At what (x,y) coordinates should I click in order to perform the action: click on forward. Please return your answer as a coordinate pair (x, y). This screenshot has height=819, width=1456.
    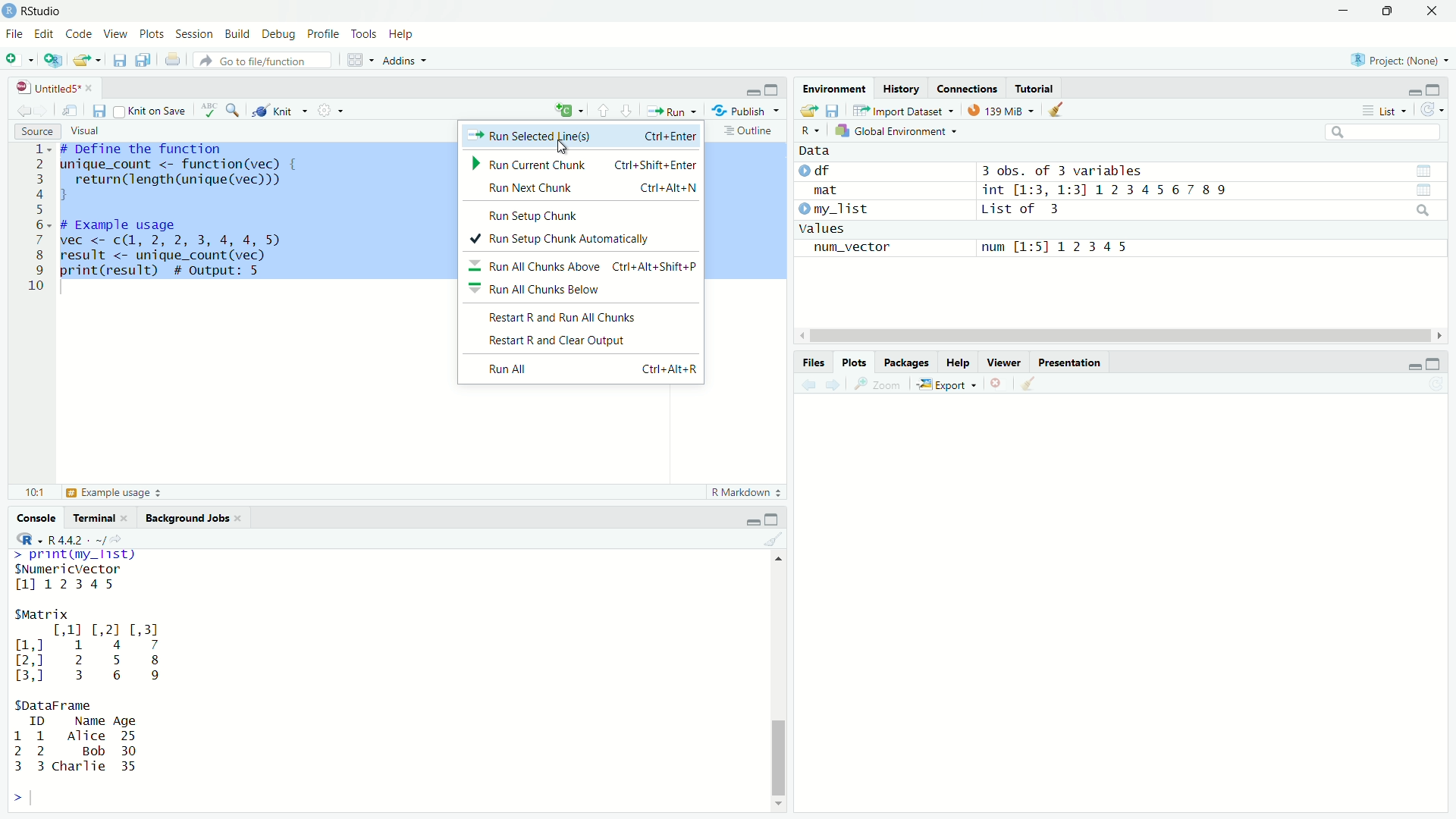
    Looking at the image, I should click on (838, 385).